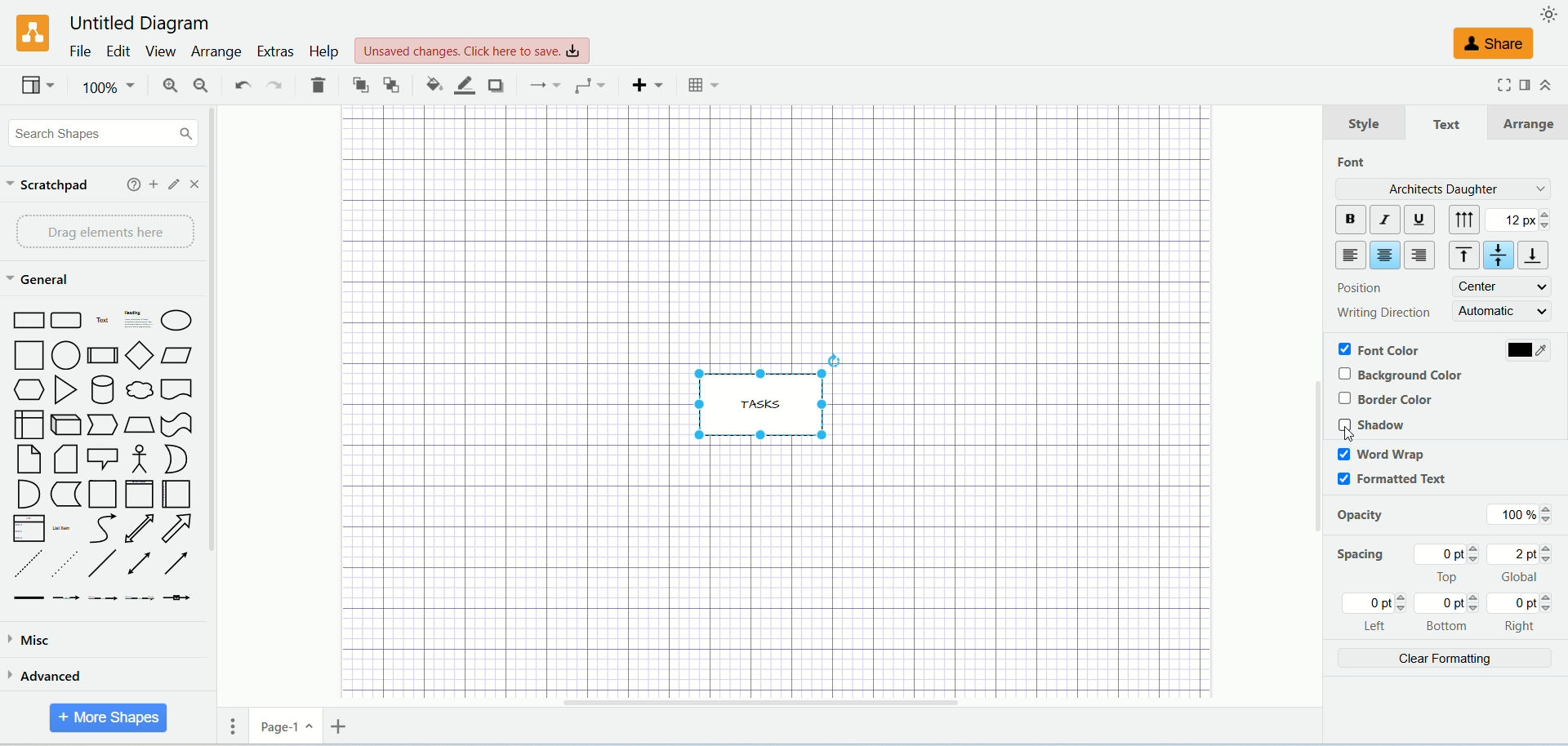 This screenshot has width=1568, height=746. I want to click on Note, so click(28, 460).